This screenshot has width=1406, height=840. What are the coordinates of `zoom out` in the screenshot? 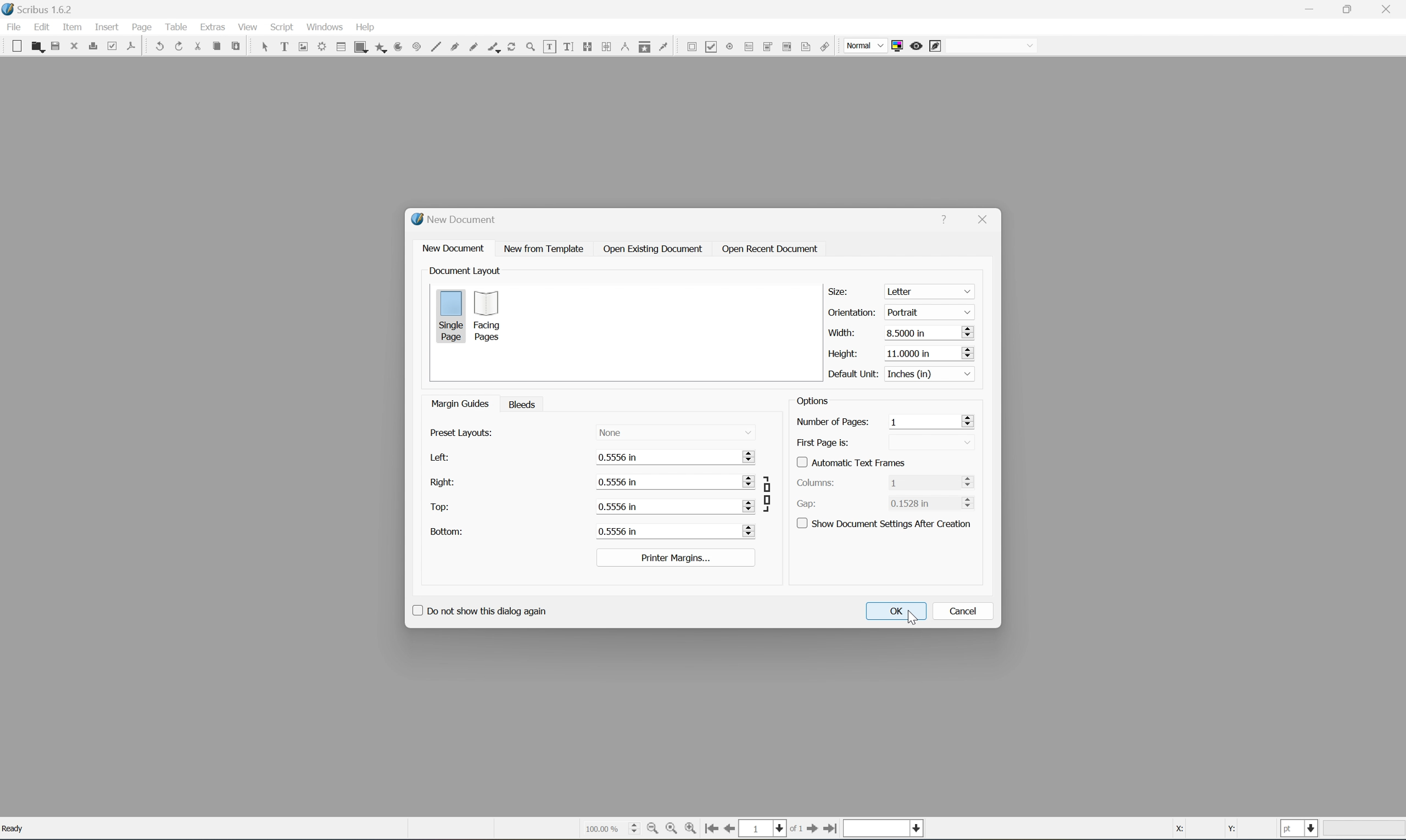 It's located at (653, 830).